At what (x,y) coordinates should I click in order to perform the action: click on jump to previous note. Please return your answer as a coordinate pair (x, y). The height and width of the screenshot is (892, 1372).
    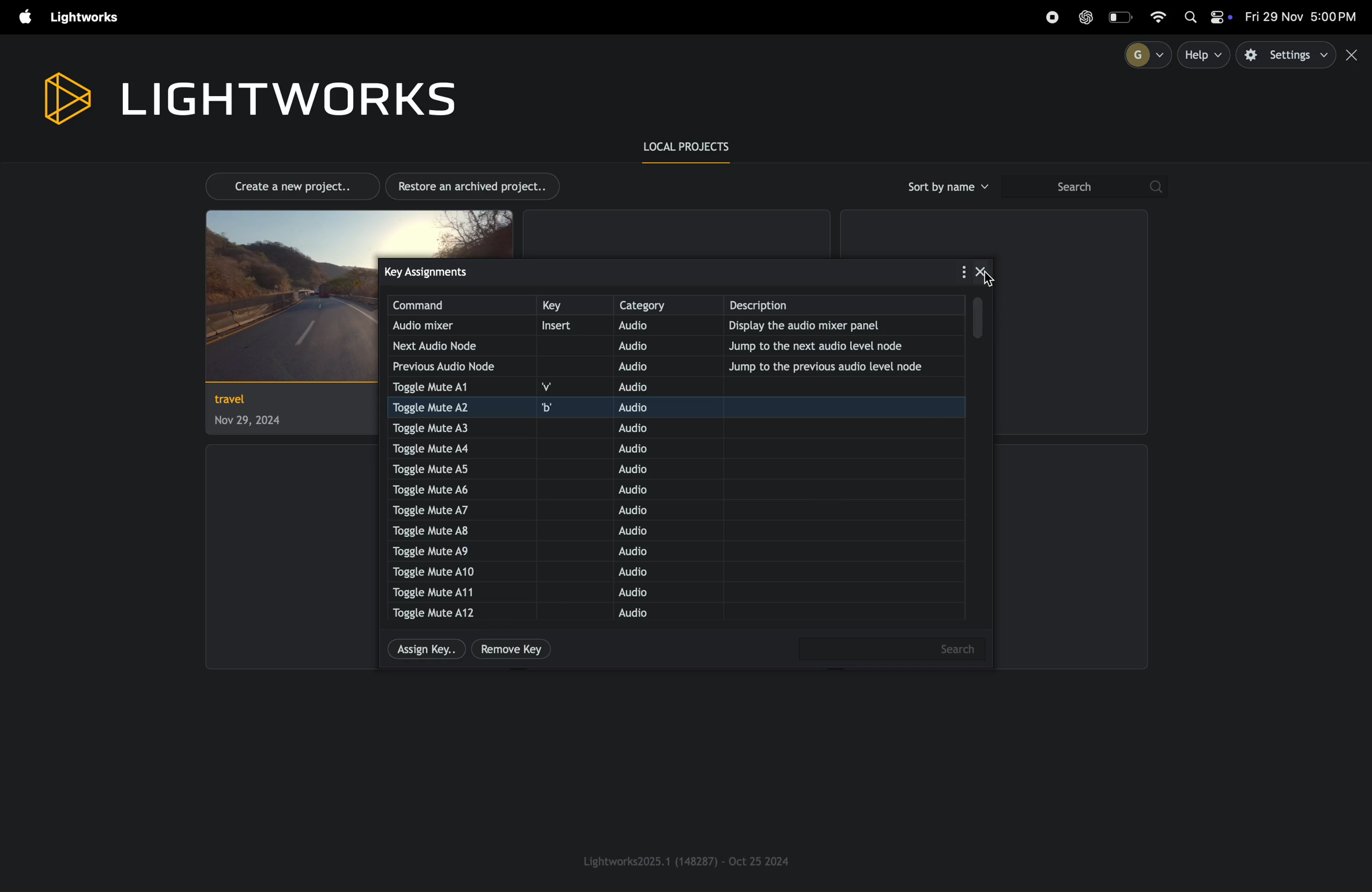
    Looking at the image, I should click on (834, 366).